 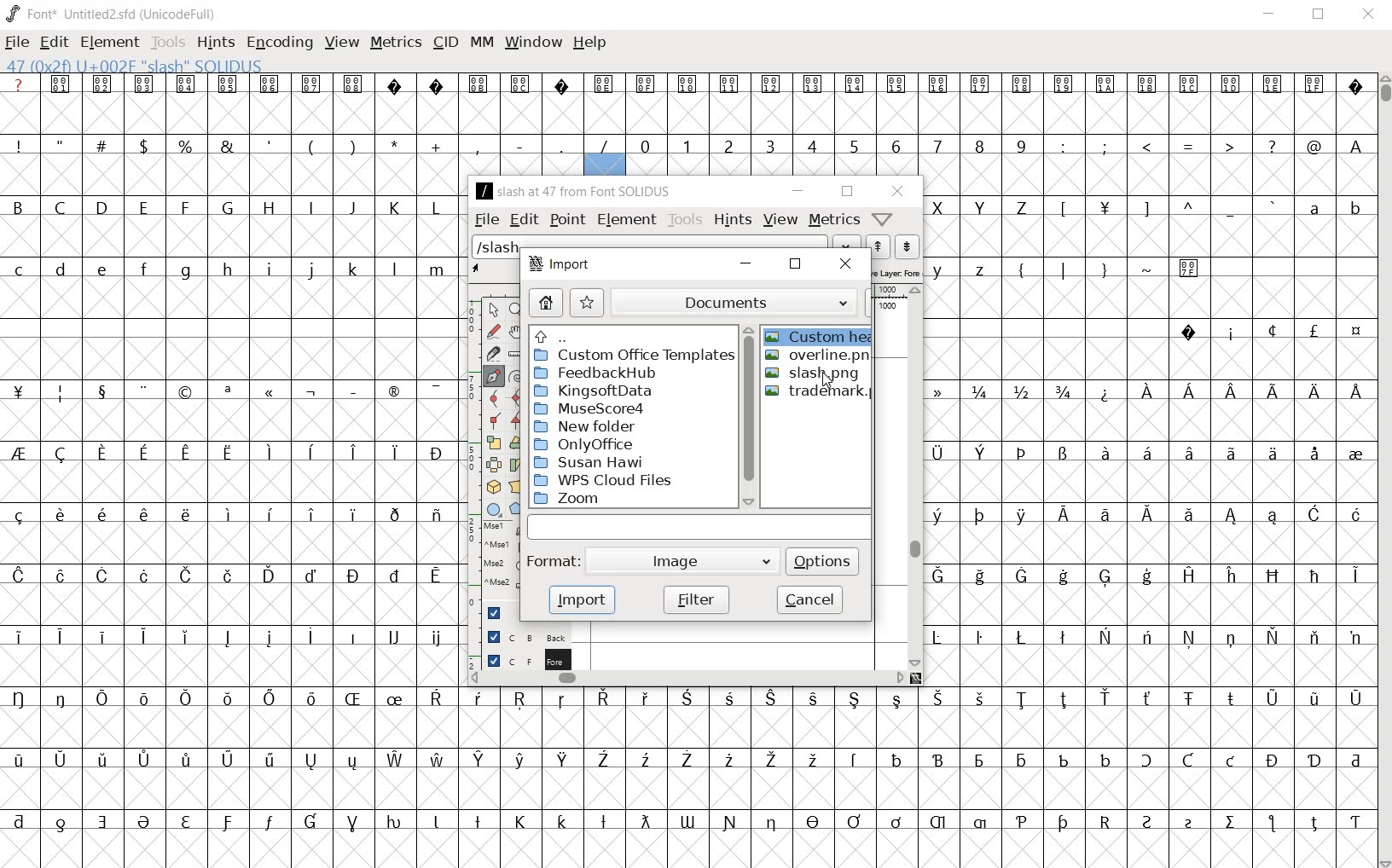 I want to click on KingsoftData, so click(x=594, y=391).